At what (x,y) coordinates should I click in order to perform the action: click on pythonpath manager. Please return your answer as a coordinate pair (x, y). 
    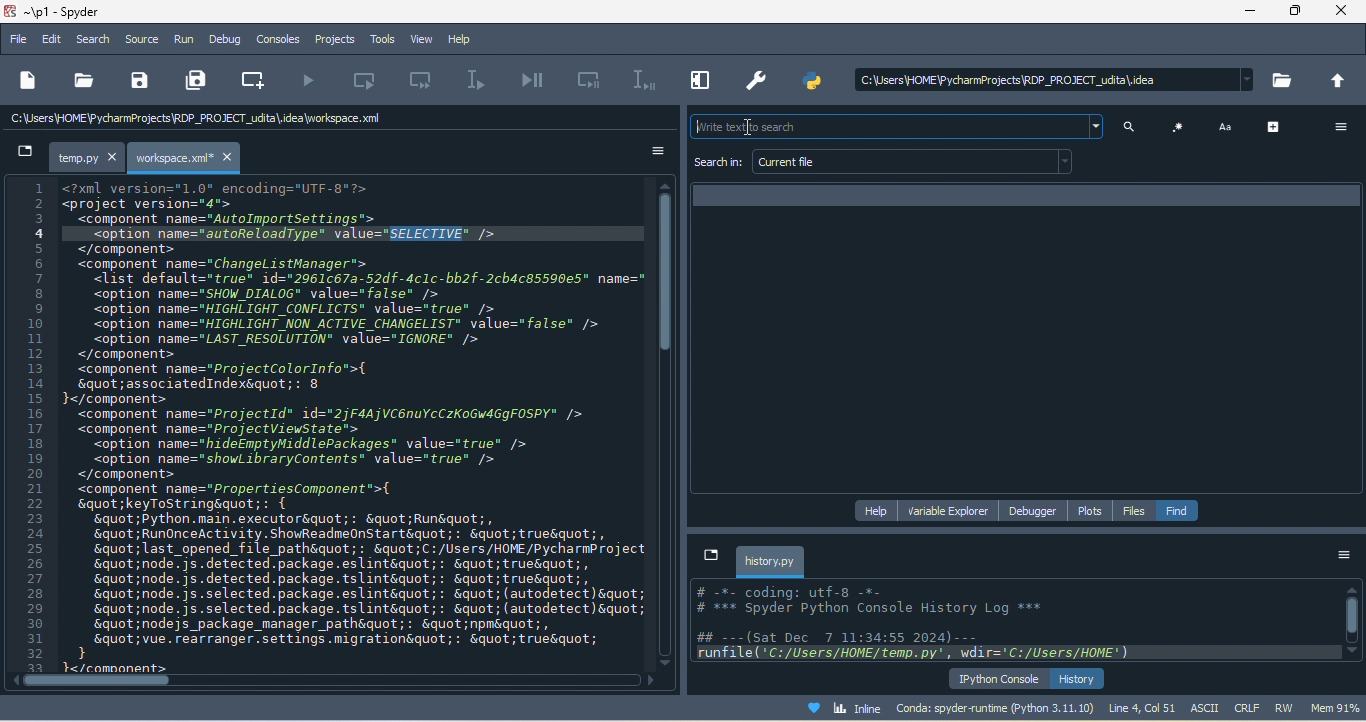
    Looking at the image, I should click on (812, 83).